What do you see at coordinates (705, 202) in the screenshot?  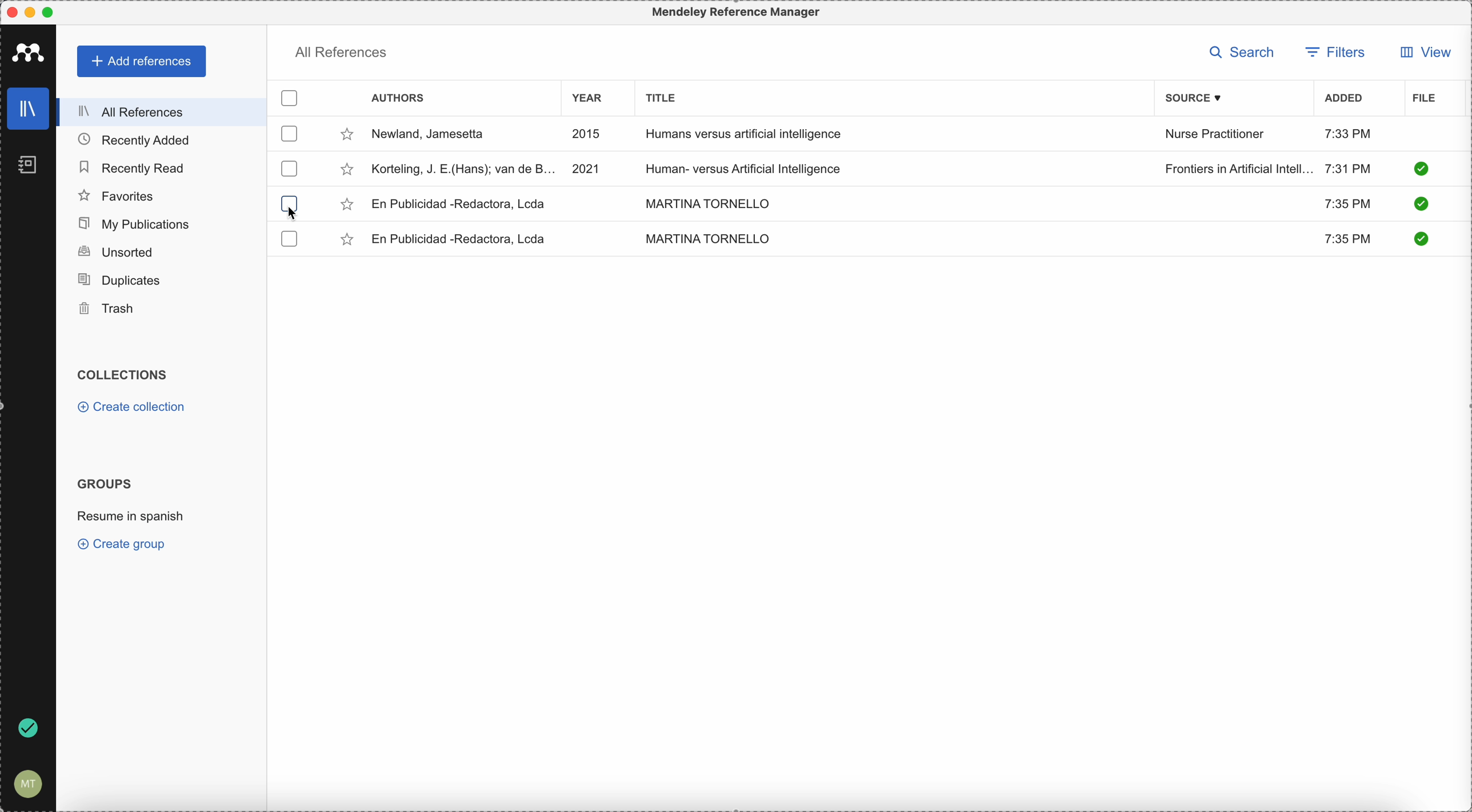 I see `MARTINA TORNELLO` at bounding box center [705, 202].